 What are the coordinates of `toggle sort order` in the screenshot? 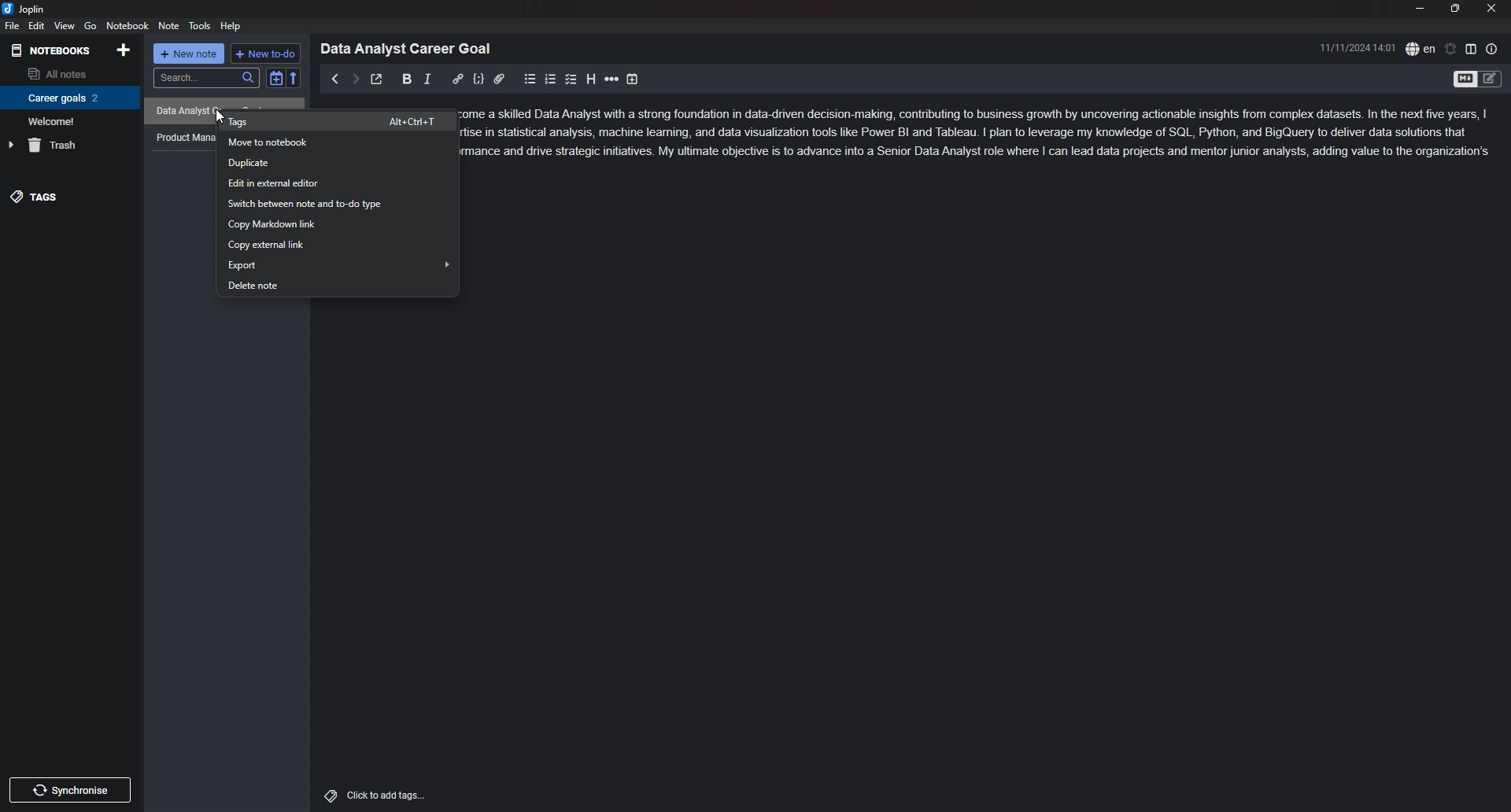 It's located at (275, 78).